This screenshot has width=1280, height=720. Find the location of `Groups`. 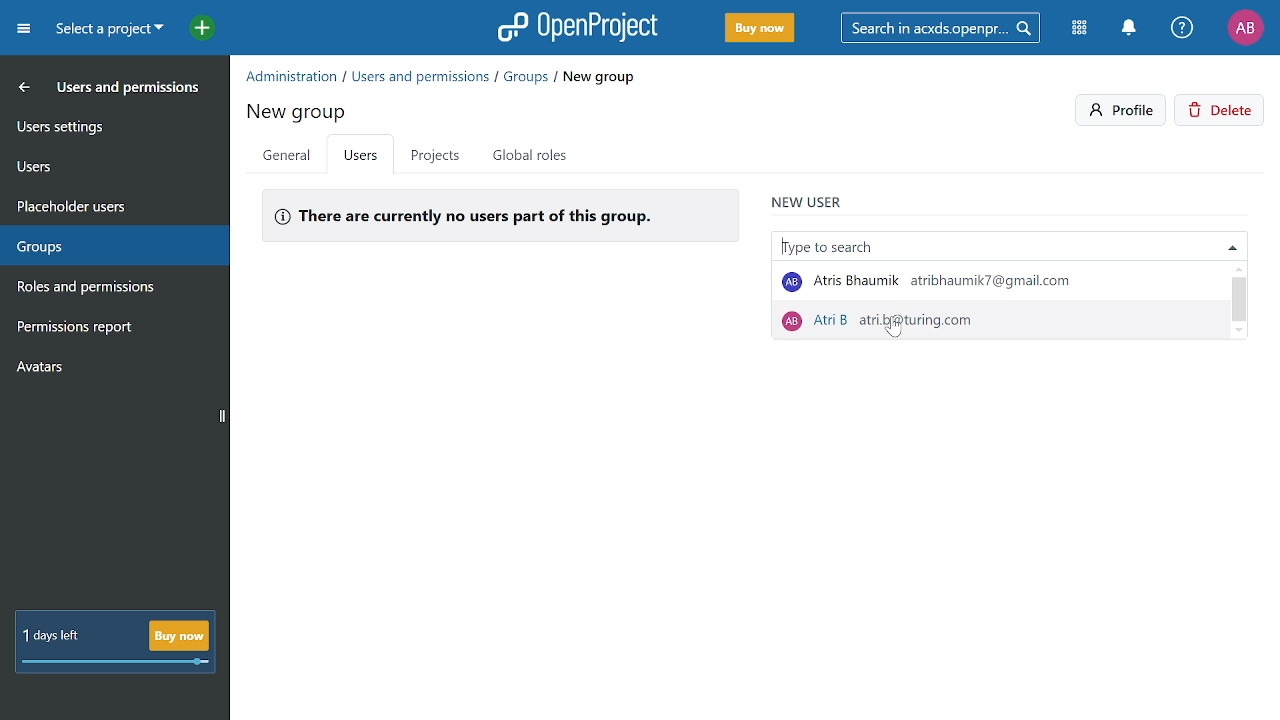

Groups is located at coordinates (109, 242).